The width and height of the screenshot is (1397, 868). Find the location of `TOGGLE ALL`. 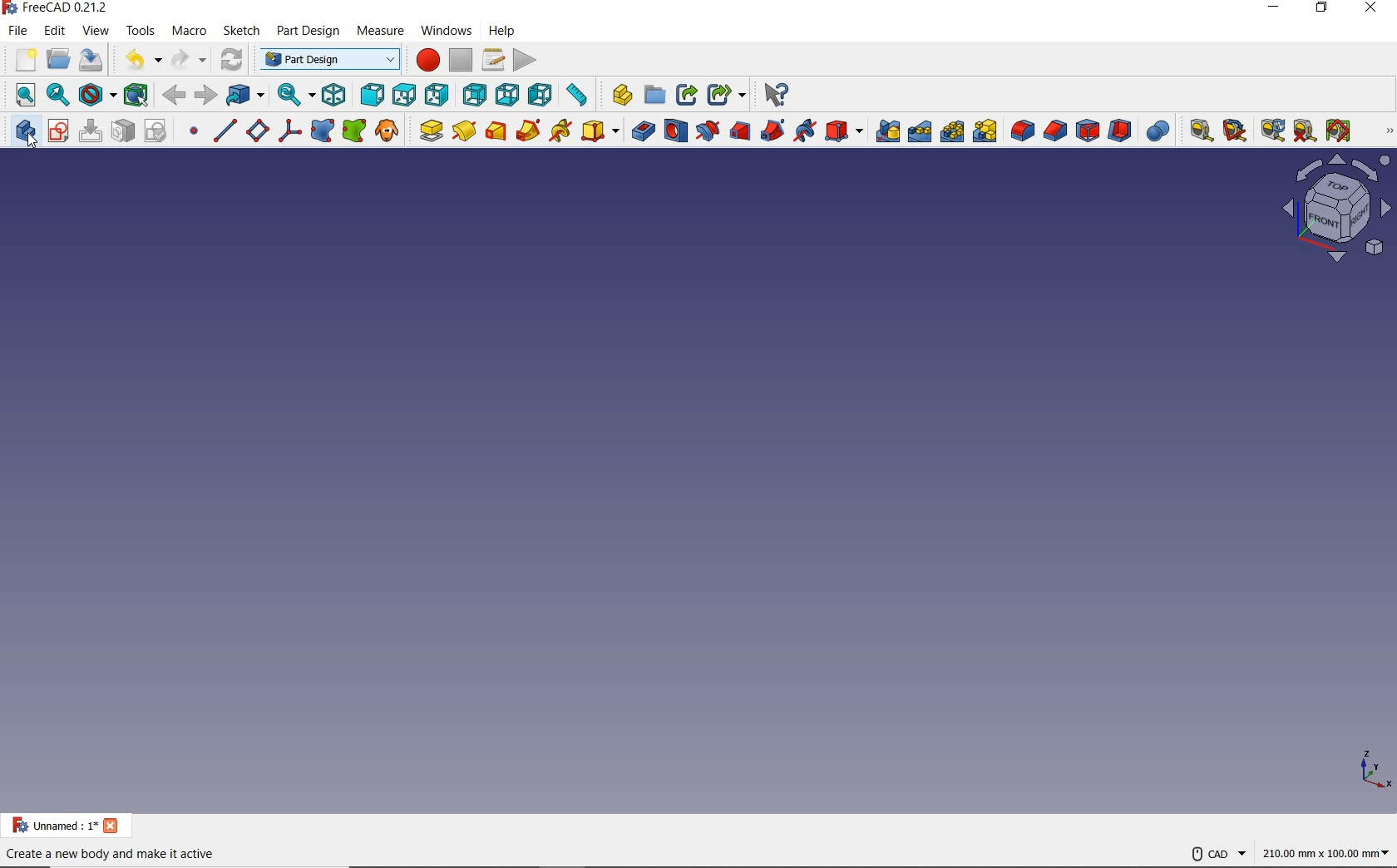

TOGGLE ALL is located at coordinates (1340, 131).